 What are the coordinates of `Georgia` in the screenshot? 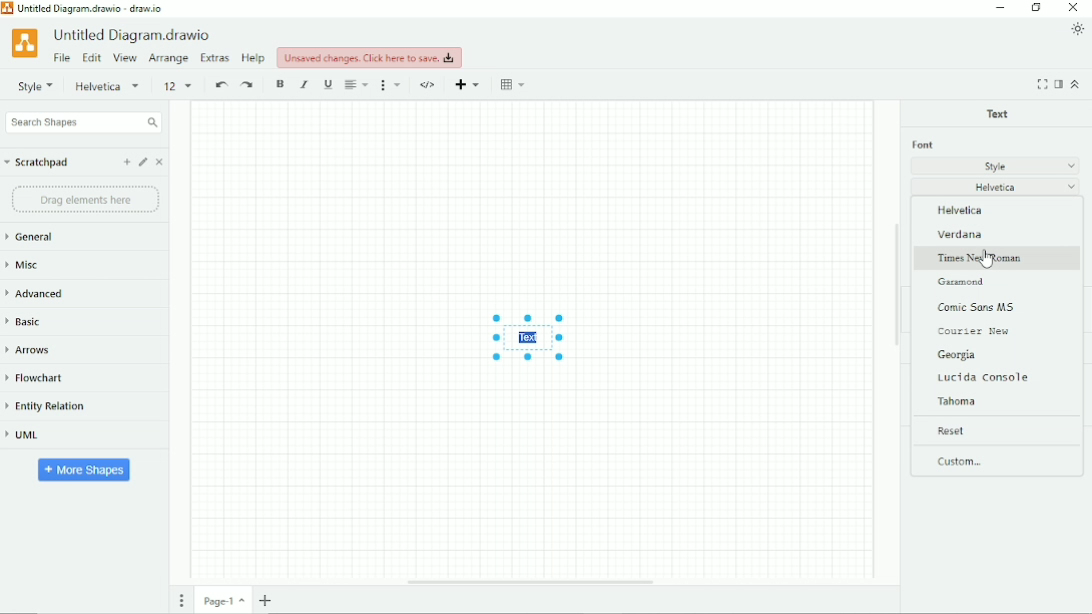 It's located at (958, 356).